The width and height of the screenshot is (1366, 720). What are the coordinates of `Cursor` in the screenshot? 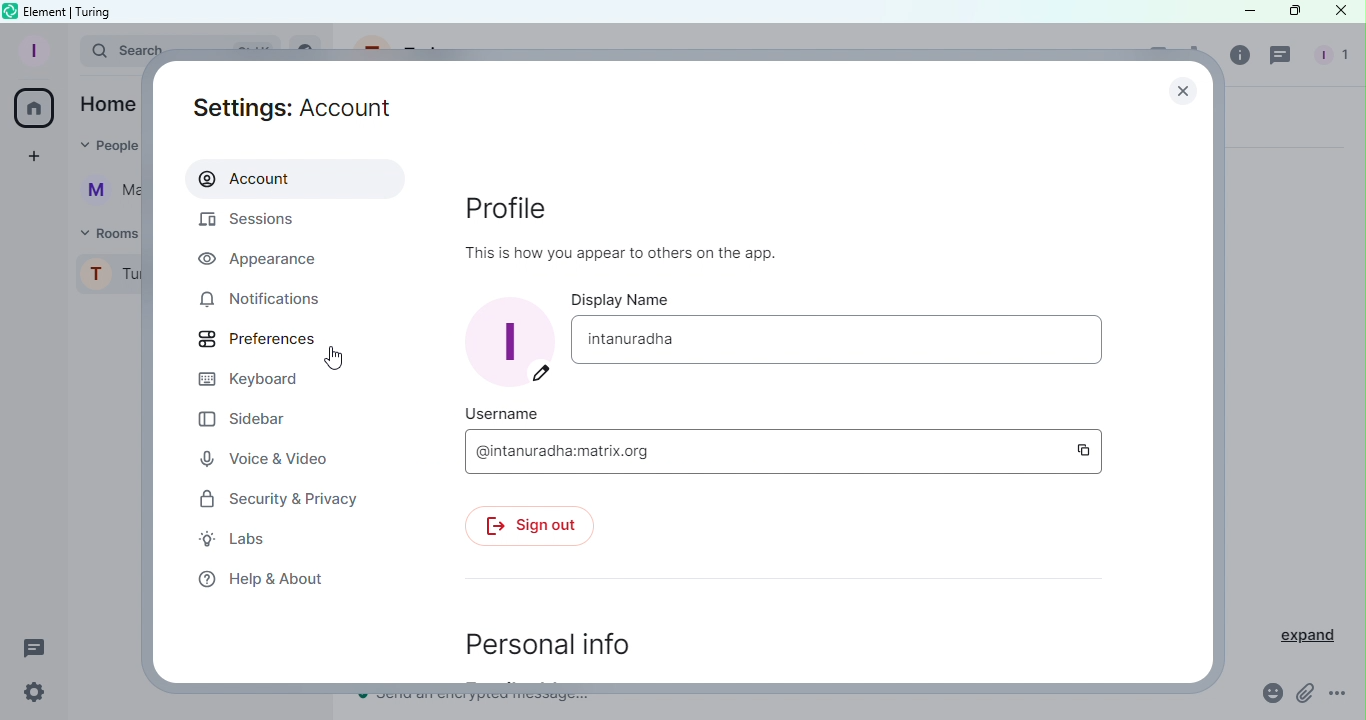 It's located at (334, 357).